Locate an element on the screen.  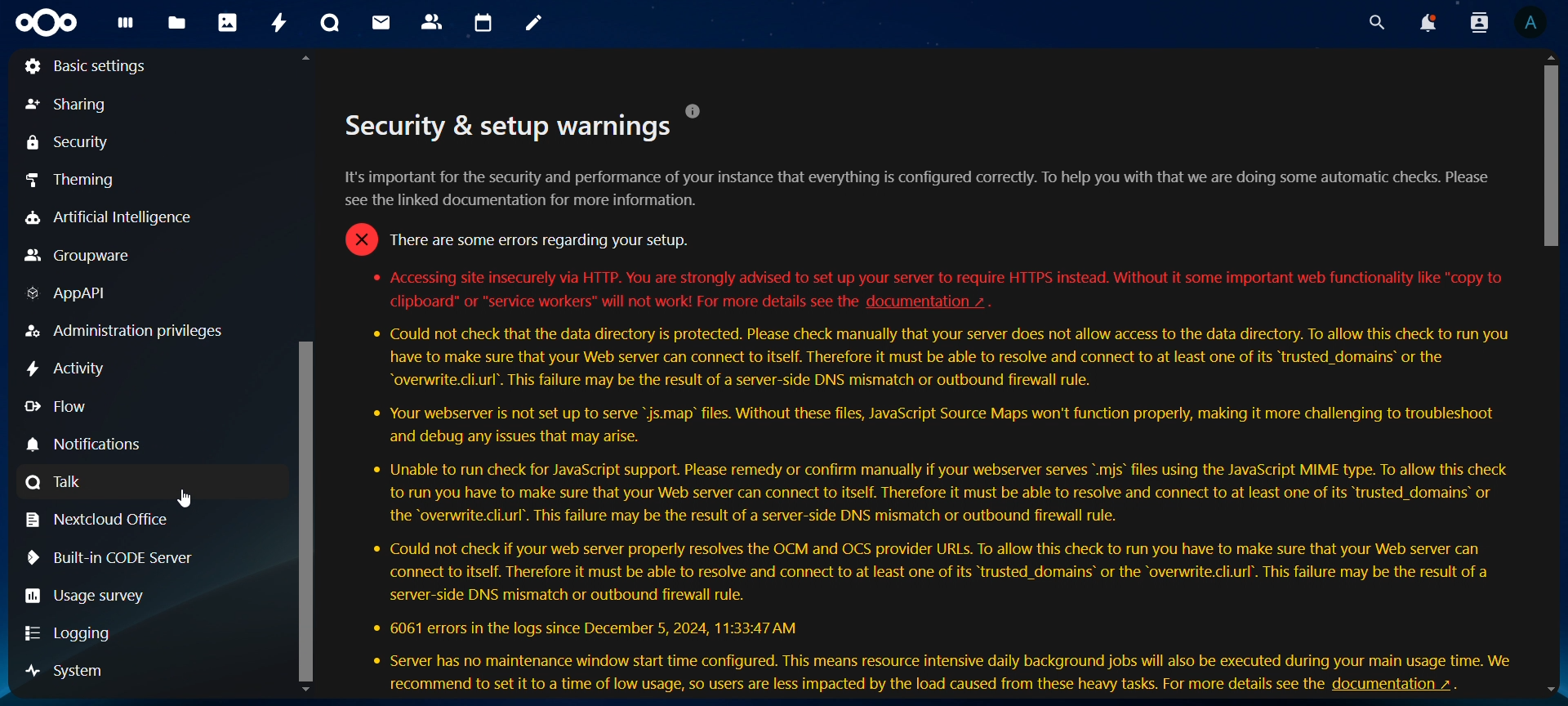
notifications is located at coordinates (128, 445).